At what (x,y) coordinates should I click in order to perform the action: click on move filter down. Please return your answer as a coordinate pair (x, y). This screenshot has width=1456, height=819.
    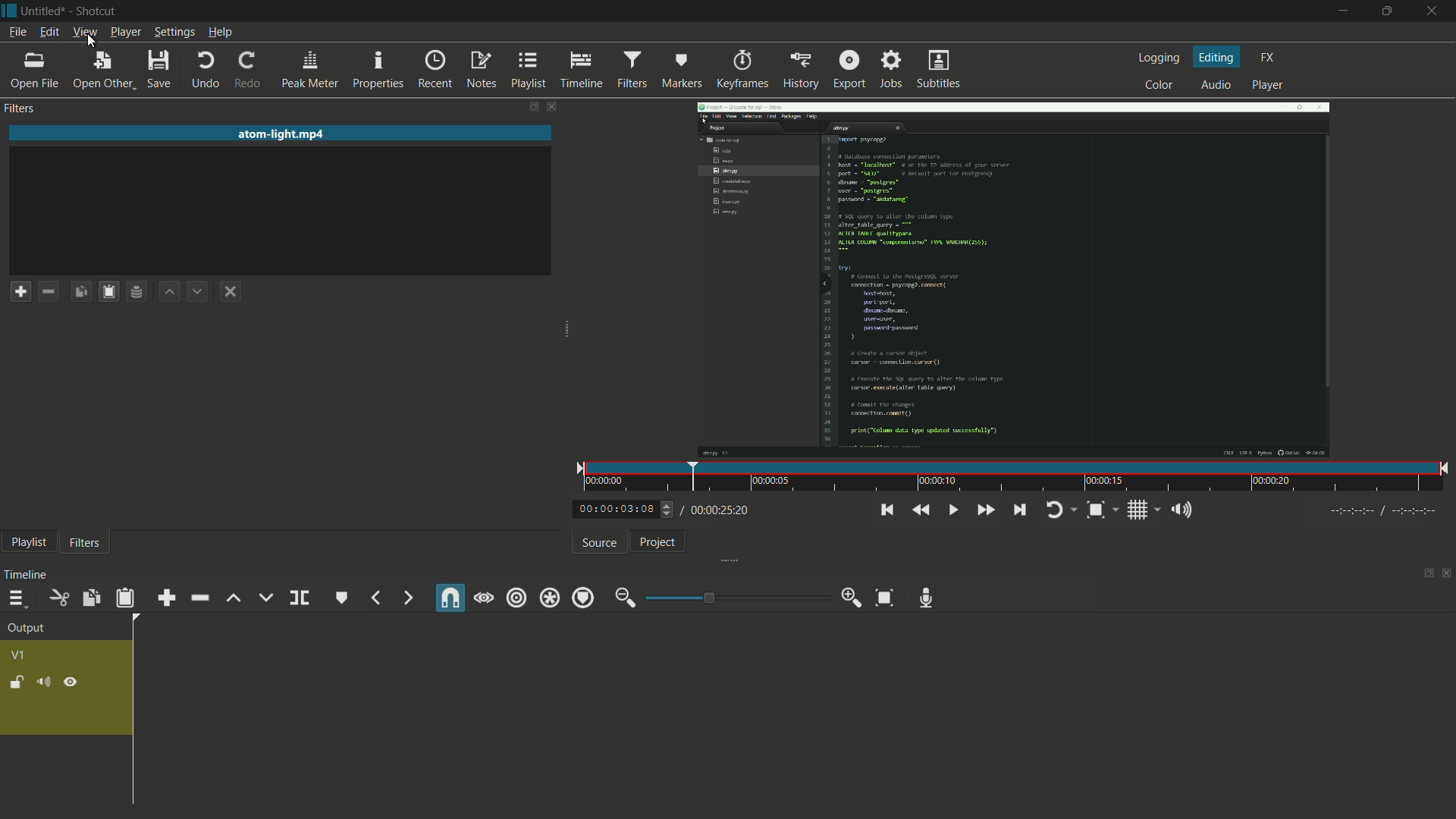
    Looking at the image, I should click on (199, 291).